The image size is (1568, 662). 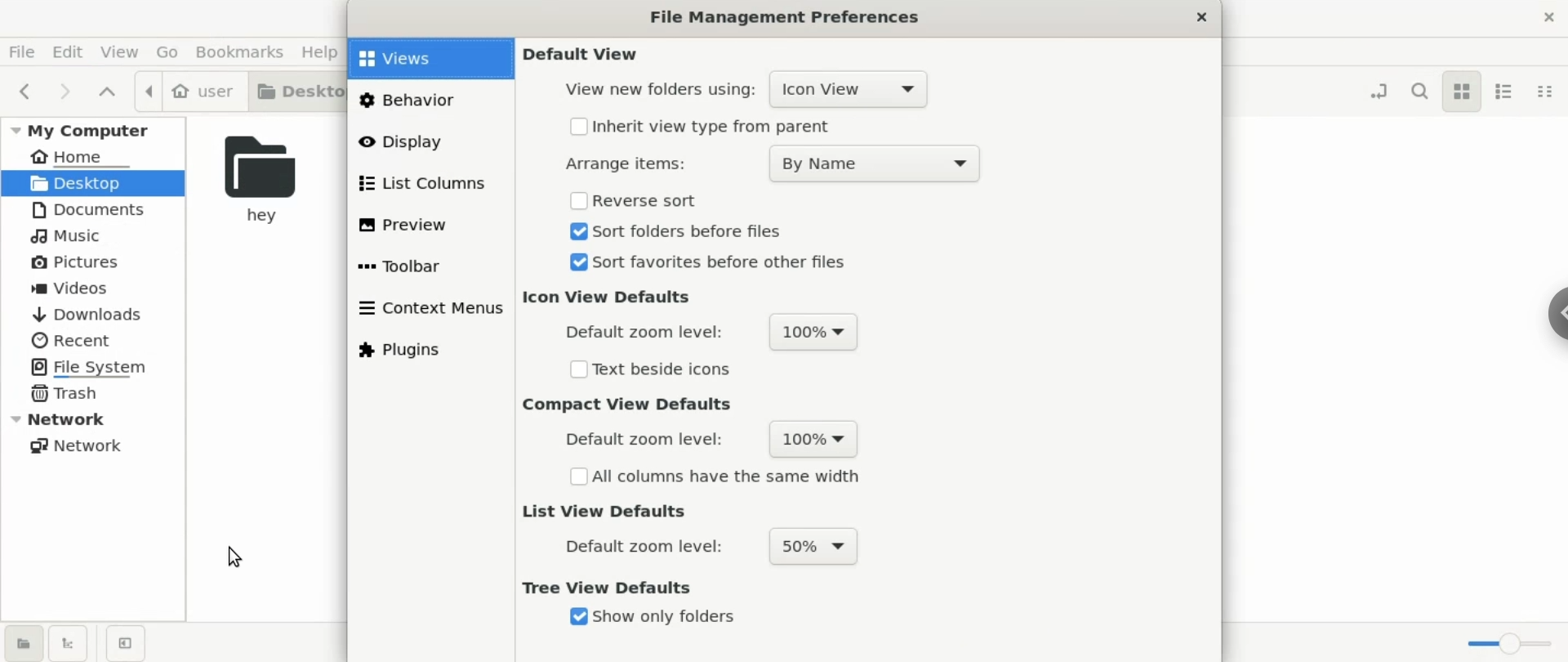 What do you see at coordinates (428, 308) in the screenshot?
I see `content menus` at bounding box center [428, 308].